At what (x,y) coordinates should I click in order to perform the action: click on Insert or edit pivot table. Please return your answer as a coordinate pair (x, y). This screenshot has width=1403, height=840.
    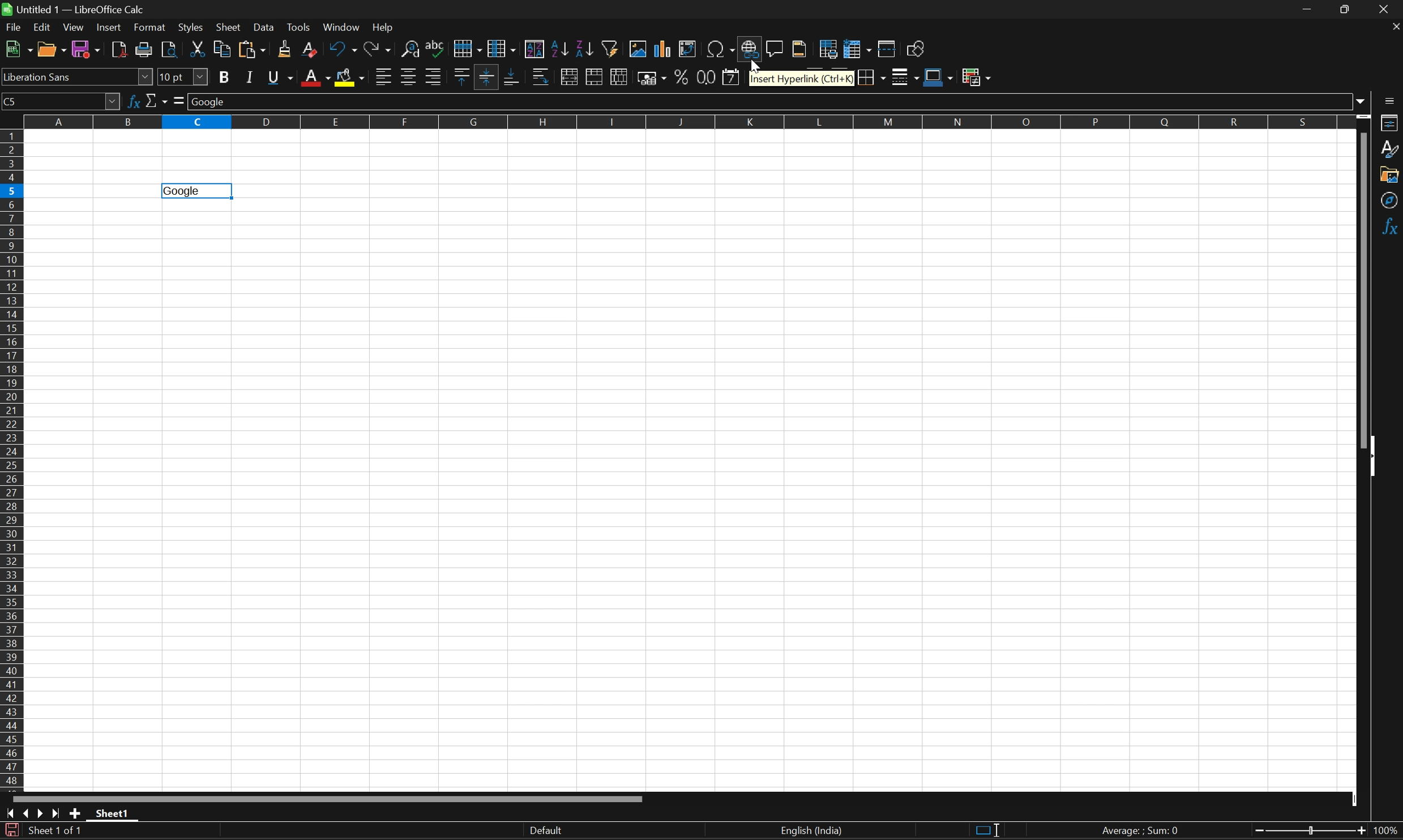
    Looking at the image, I should click on (688, 48).